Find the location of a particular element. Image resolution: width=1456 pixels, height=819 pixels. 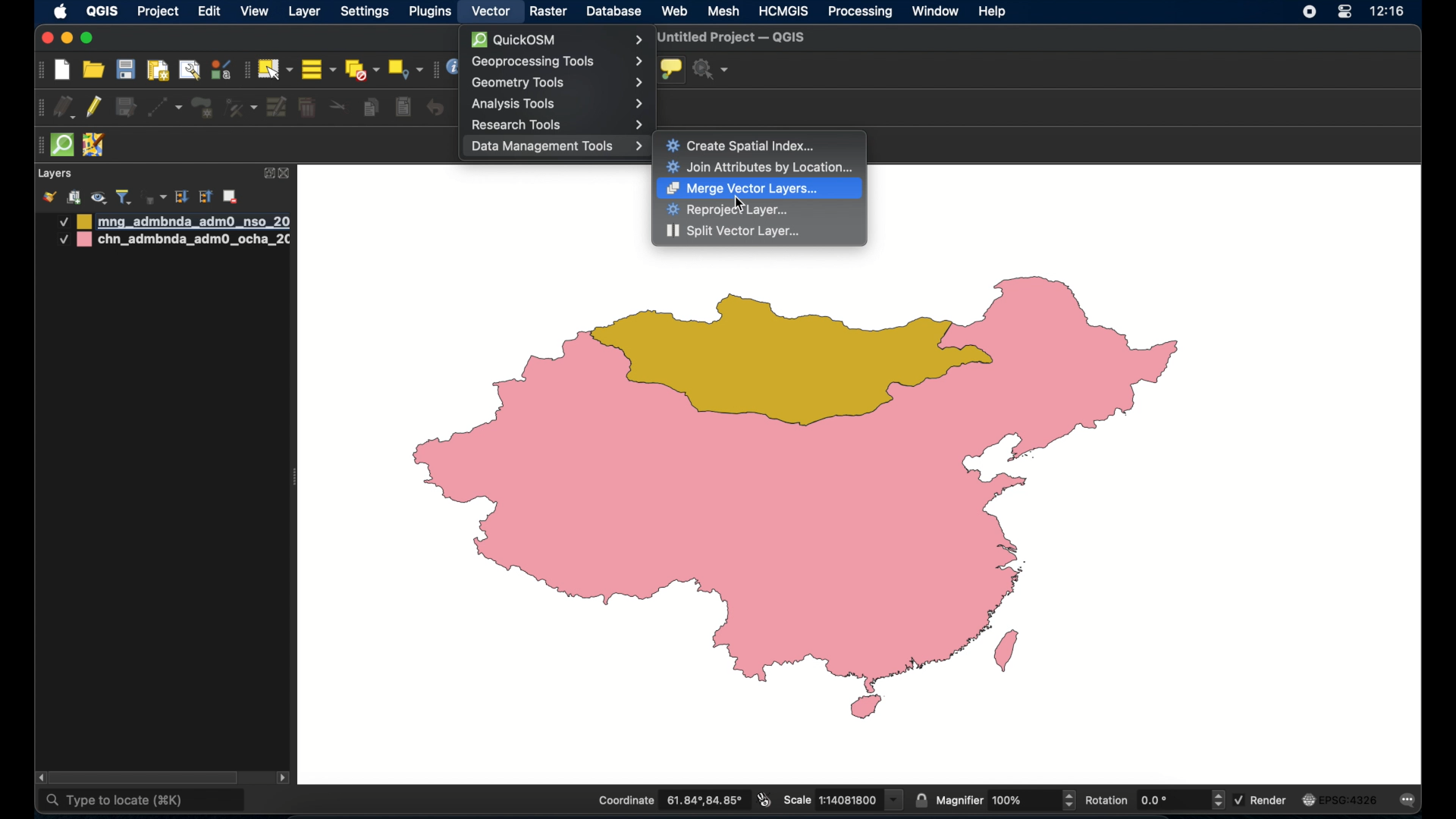

scroll box is located at coordinates (149, 777).